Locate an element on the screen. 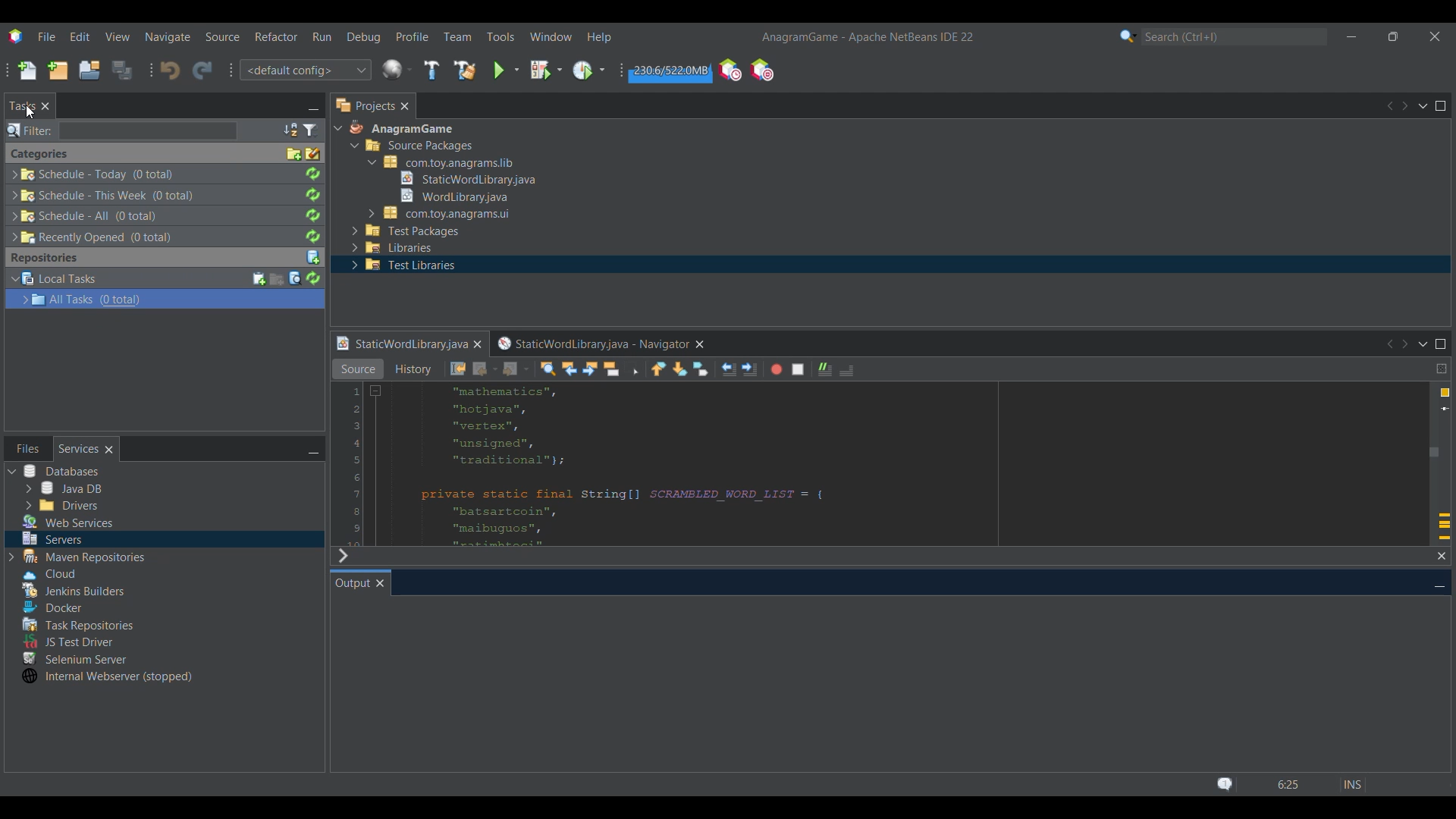 This screenshot has width=1456, height=819. Add repository is located at coordinates (313, 258).